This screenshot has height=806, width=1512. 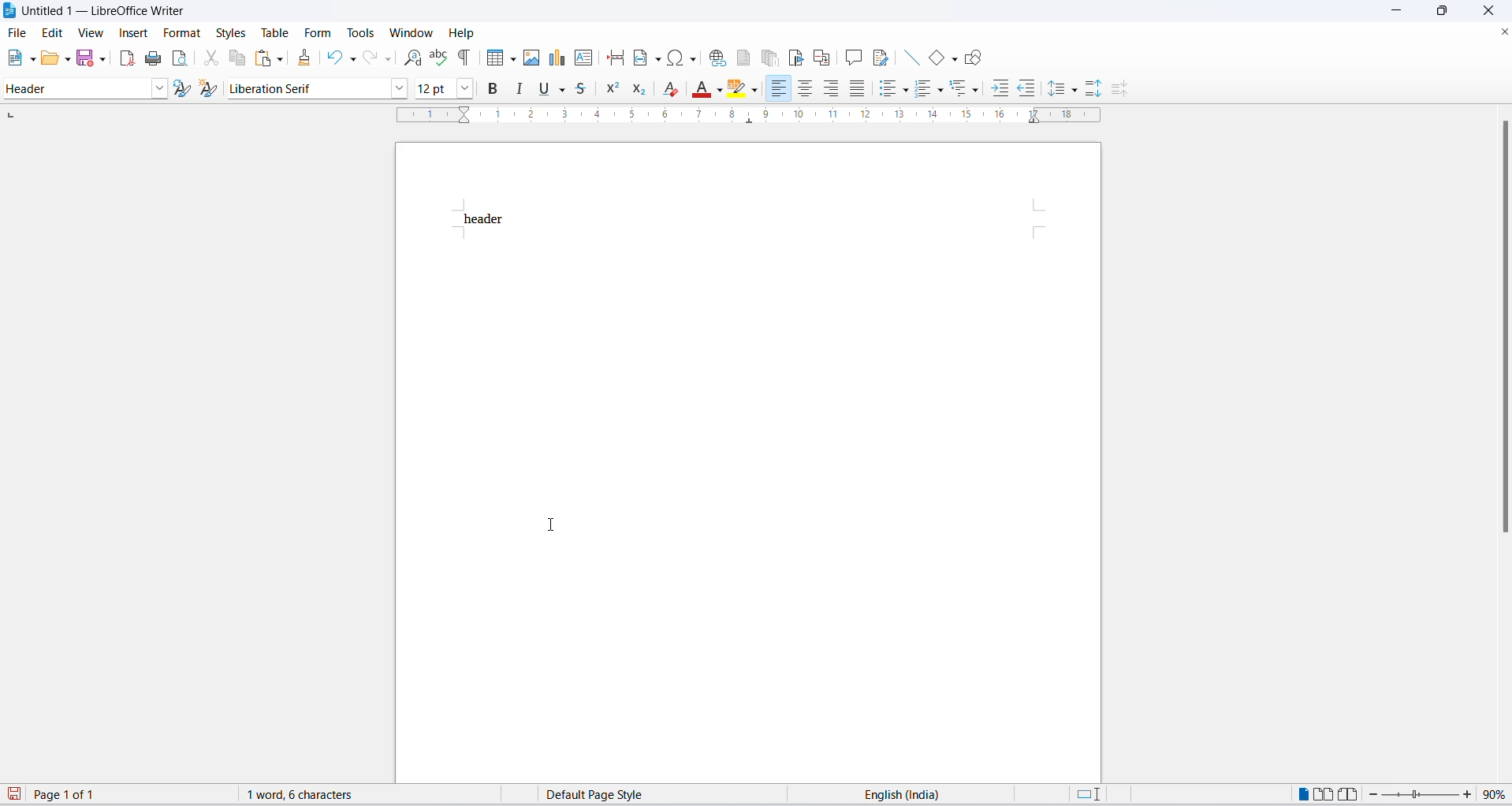 What do you see at coordinates (683, 58) in the screenshot?
I see `insert special characters` at bounding box center [683, 58].